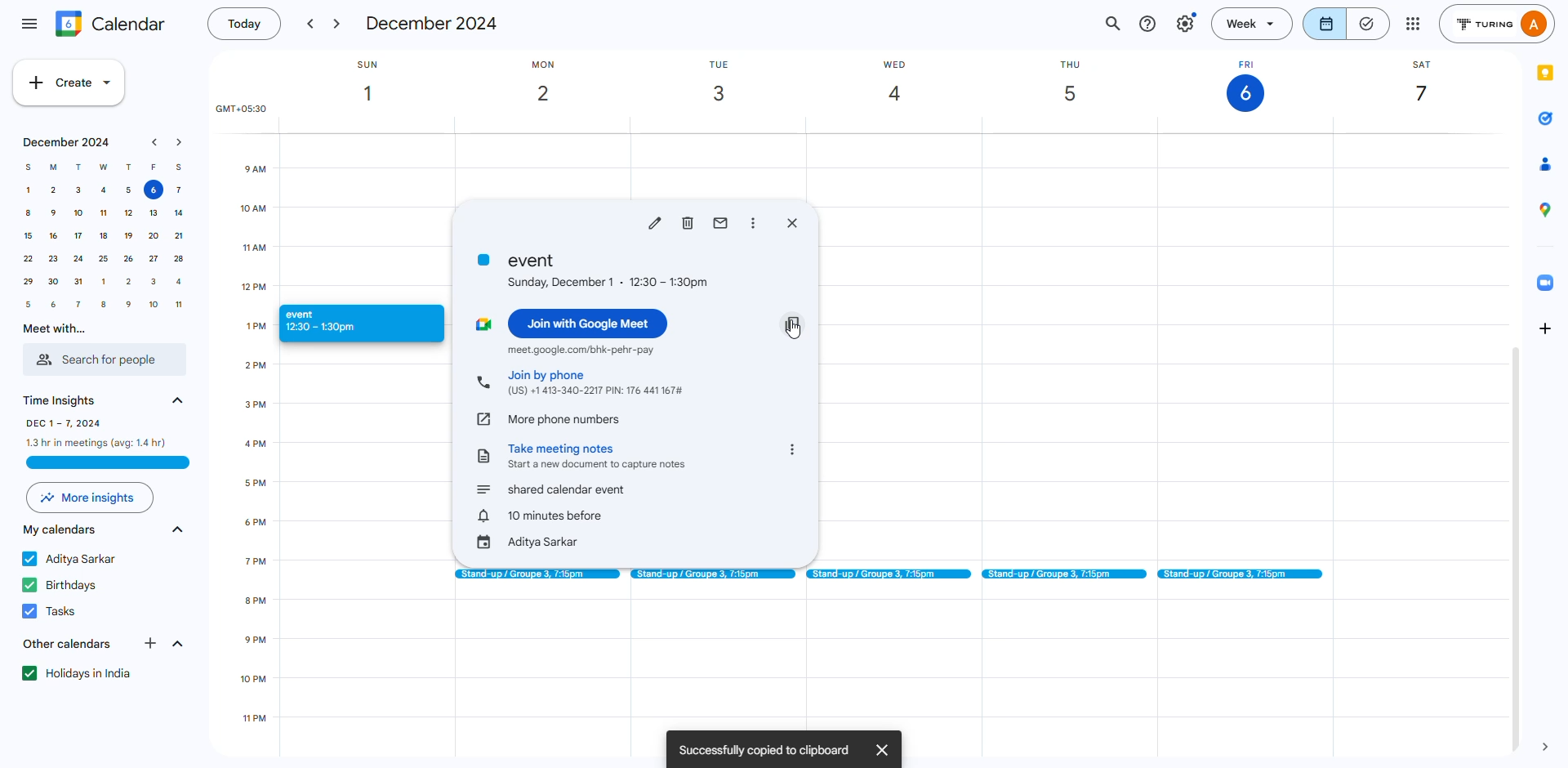 The image size is (1568, 768). What do you see at coordinates (903, 84) in the screenshot?
I see `wed 4` at bounding box center [903, 84].